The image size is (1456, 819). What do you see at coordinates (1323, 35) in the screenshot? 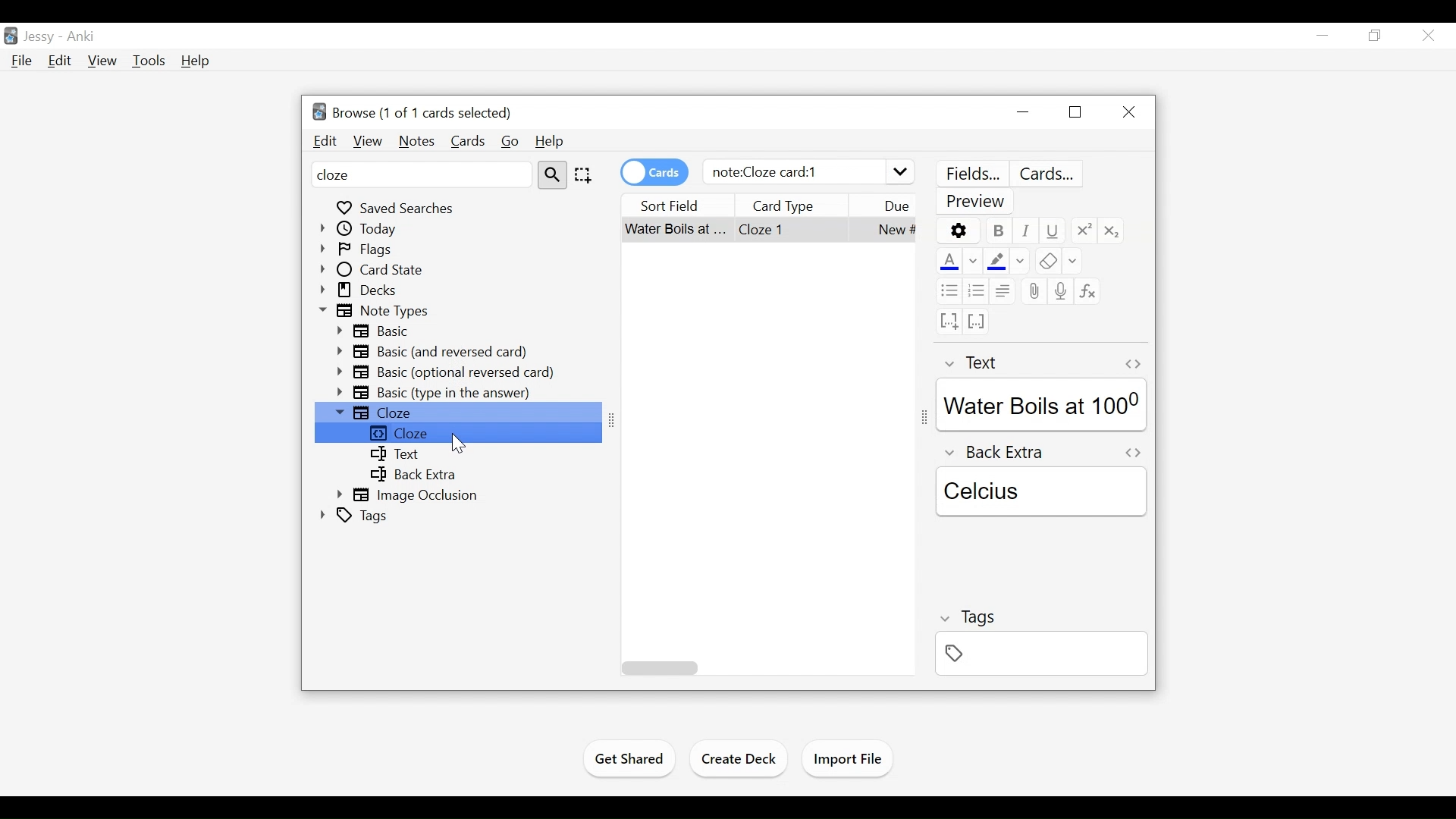
I see `minimize` at bounding box center [1323, 35].